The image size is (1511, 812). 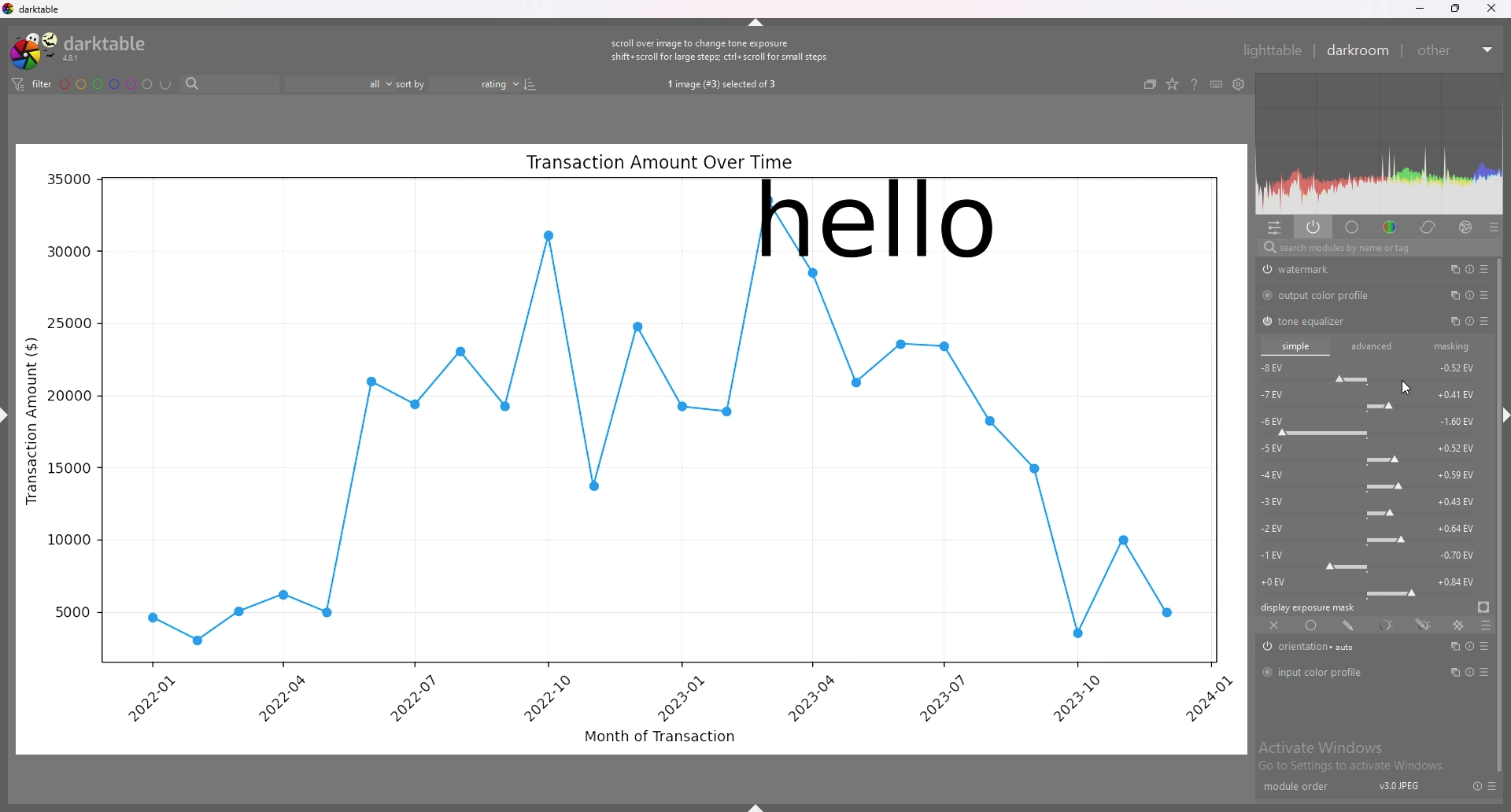 What do you see at coordinates (68, 179) in the screenshot?
I see `35000` at bounding box center [68, 179].